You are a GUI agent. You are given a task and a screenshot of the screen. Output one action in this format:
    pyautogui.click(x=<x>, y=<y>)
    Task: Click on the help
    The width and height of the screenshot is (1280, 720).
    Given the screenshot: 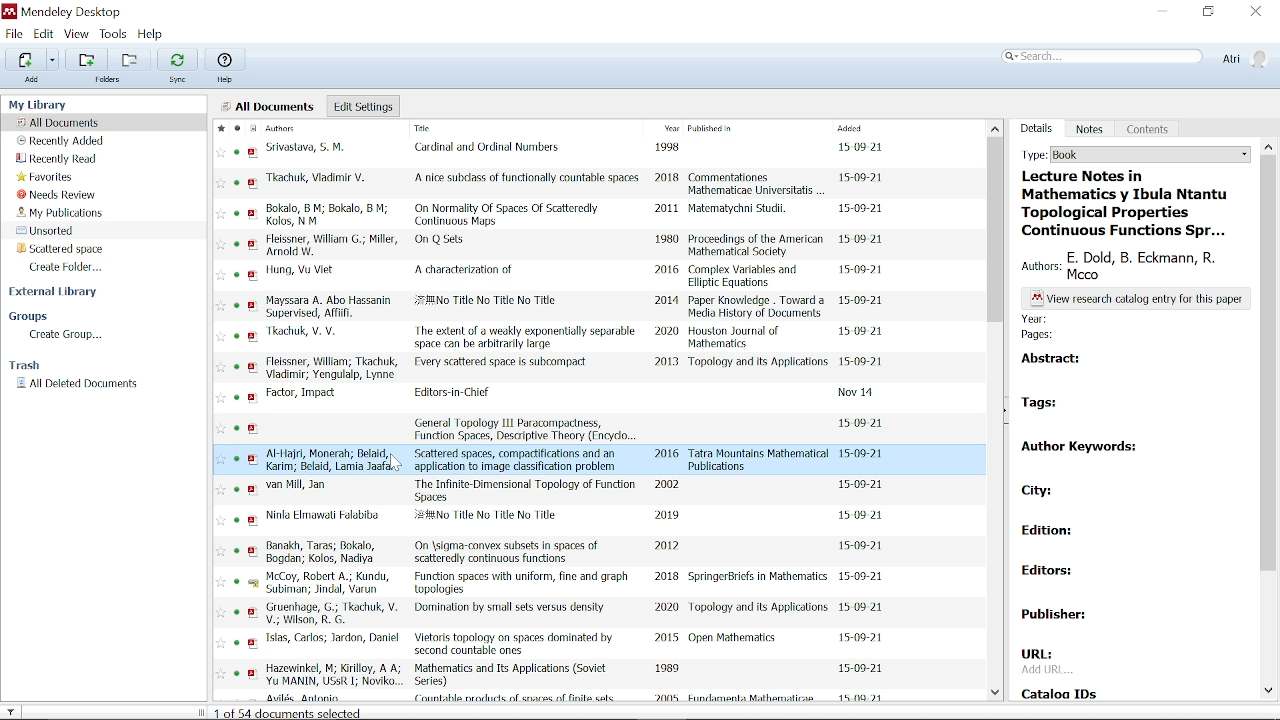 What is the action you would take?
    pyautogui.click(x=227, y=80)
    